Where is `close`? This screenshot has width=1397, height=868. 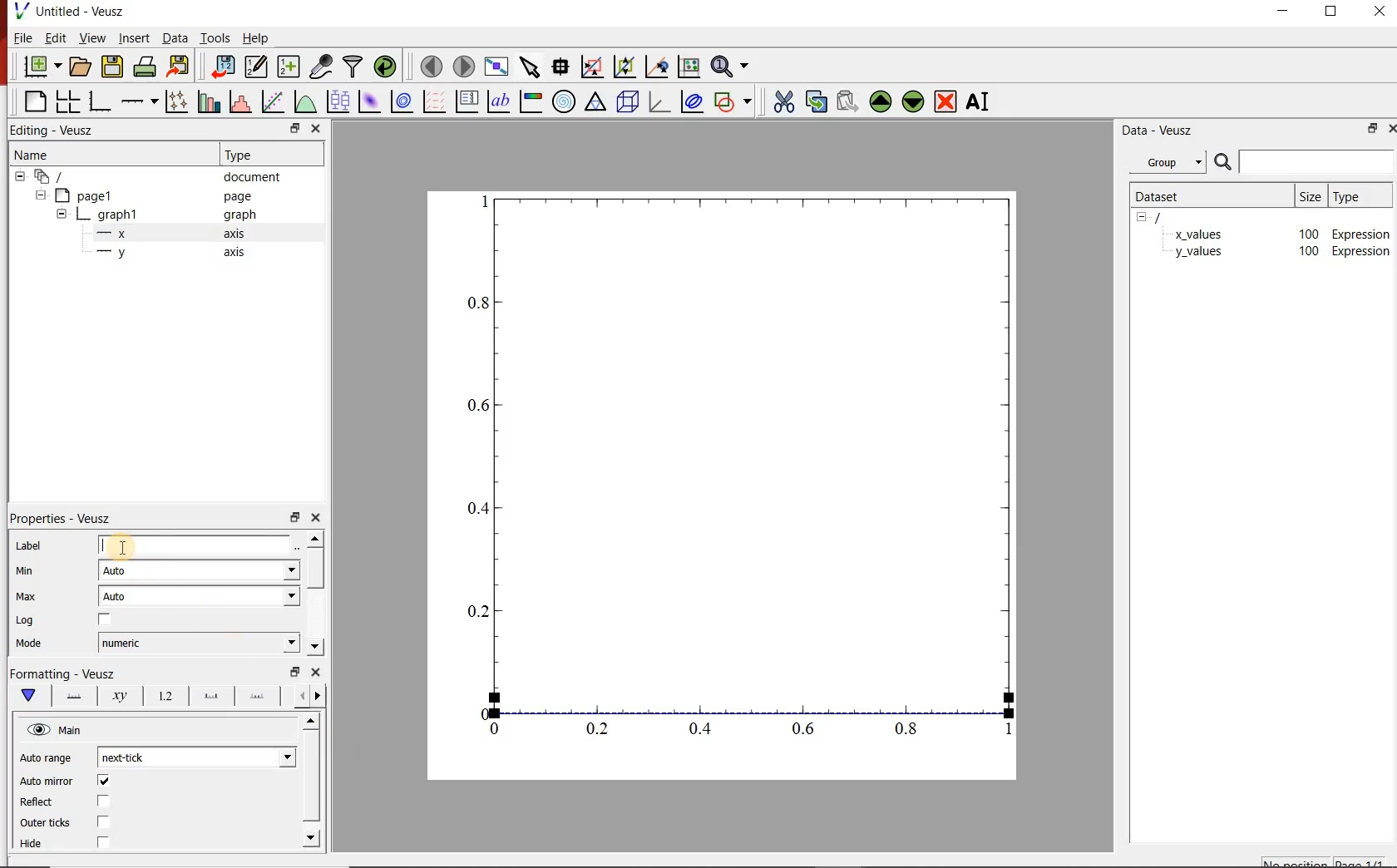
close is located at coordinates (1382, 13).